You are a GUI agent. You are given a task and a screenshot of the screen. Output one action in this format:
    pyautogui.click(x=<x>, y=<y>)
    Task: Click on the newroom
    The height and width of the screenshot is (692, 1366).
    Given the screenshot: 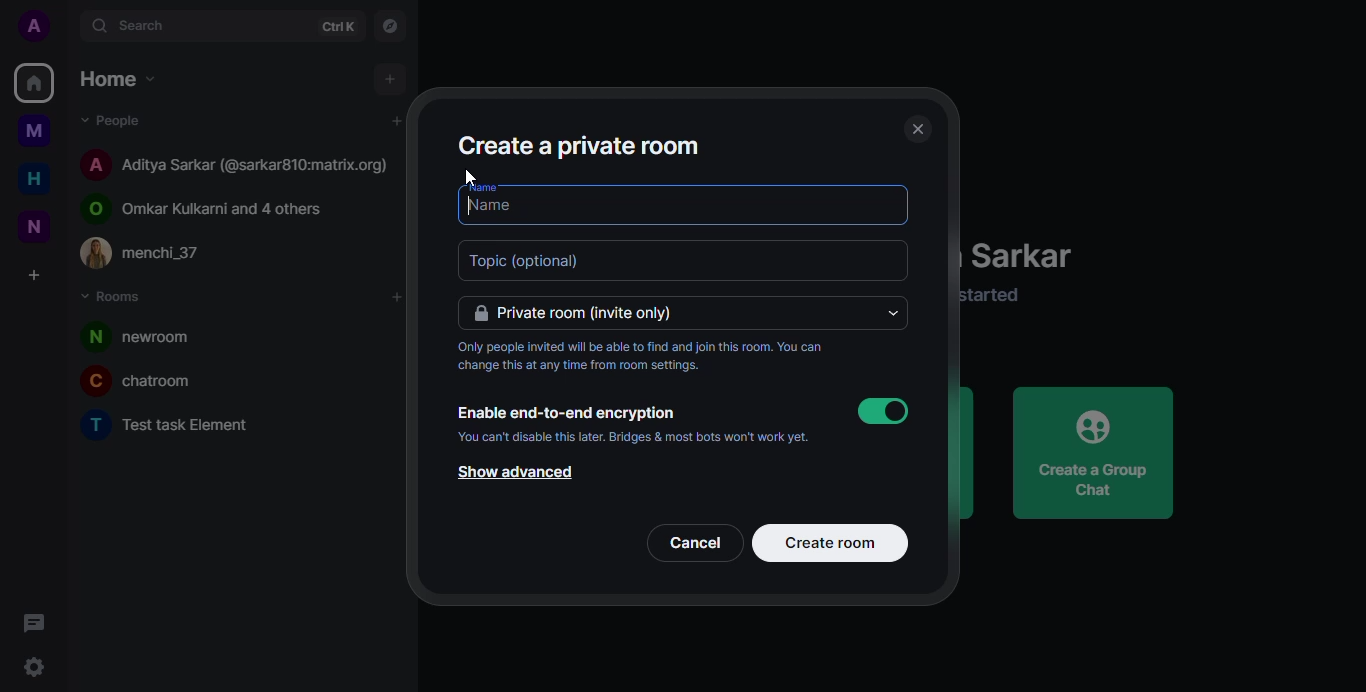 What is the action you would take?
    pyautogui.click(x=151, y=335)
    